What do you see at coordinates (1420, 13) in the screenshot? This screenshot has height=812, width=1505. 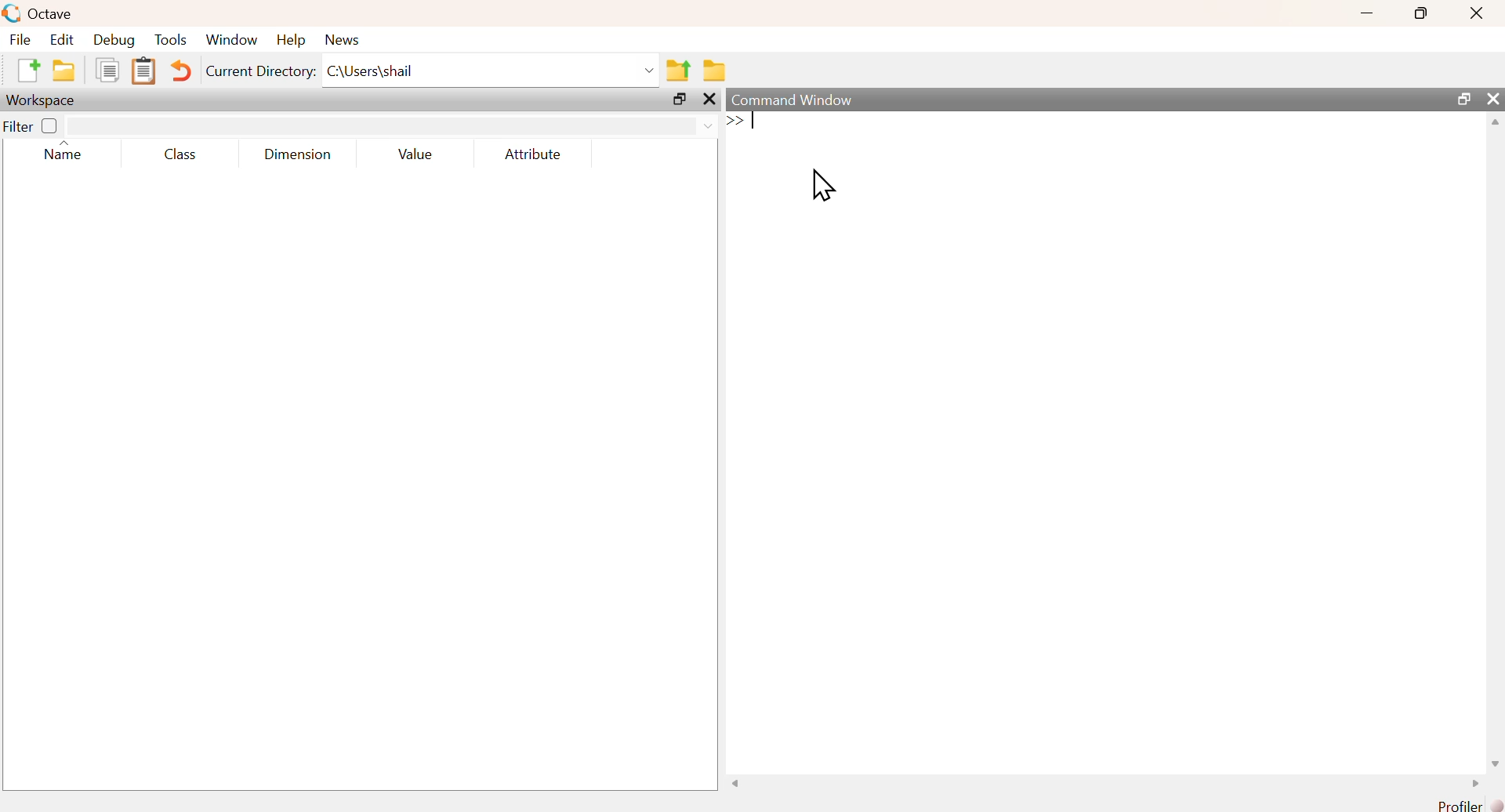 I see `maximize` at bounding box center [1420, 13].